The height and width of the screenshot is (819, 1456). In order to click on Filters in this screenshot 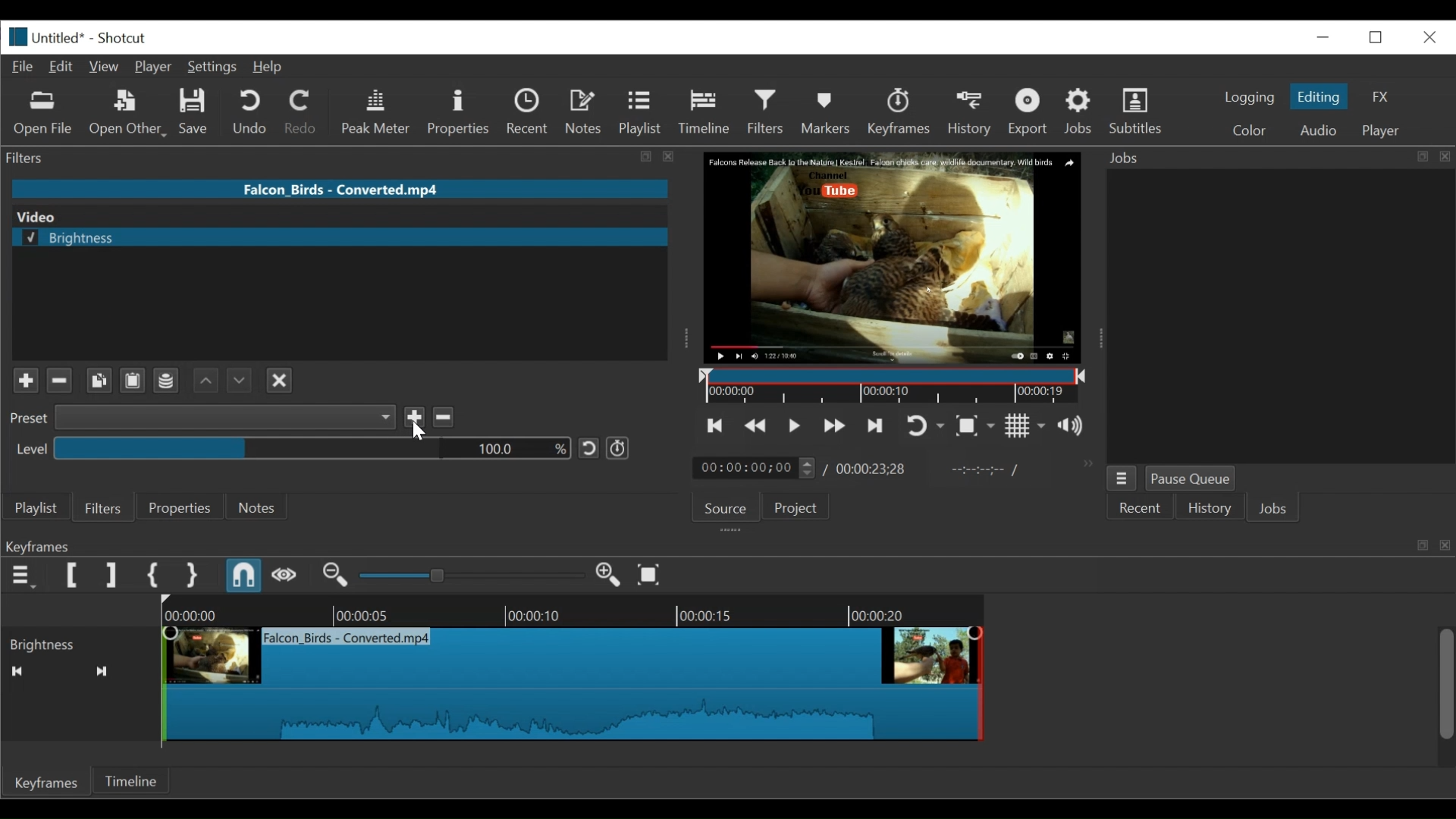, I will do `click(105, 507)`.